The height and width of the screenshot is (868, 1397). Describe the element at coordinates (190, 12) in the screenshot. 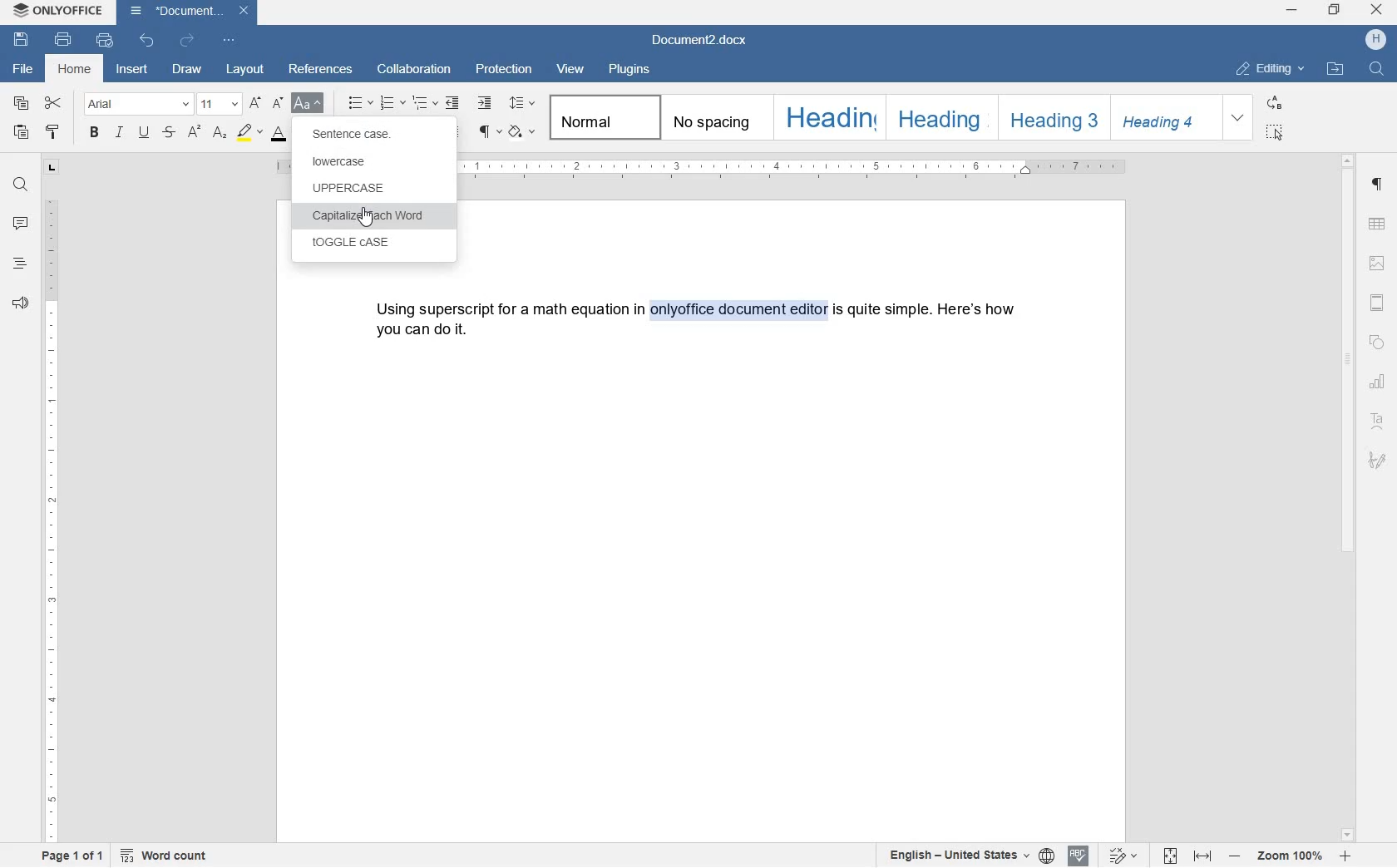

I see `Document2.docx` at that location.